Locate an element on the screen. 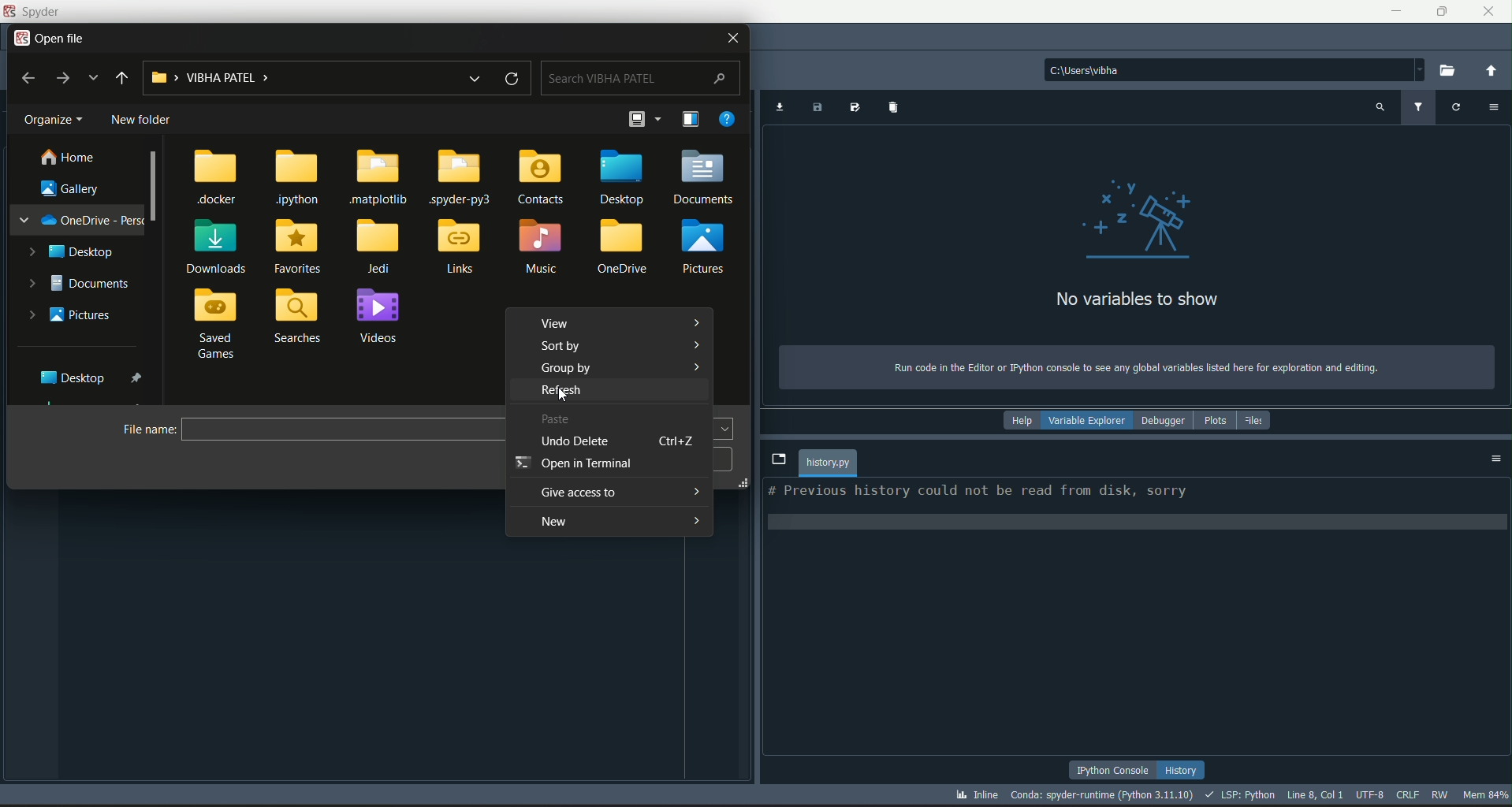 The image size is (1512, 807). text is located at coordinates (978, 493).